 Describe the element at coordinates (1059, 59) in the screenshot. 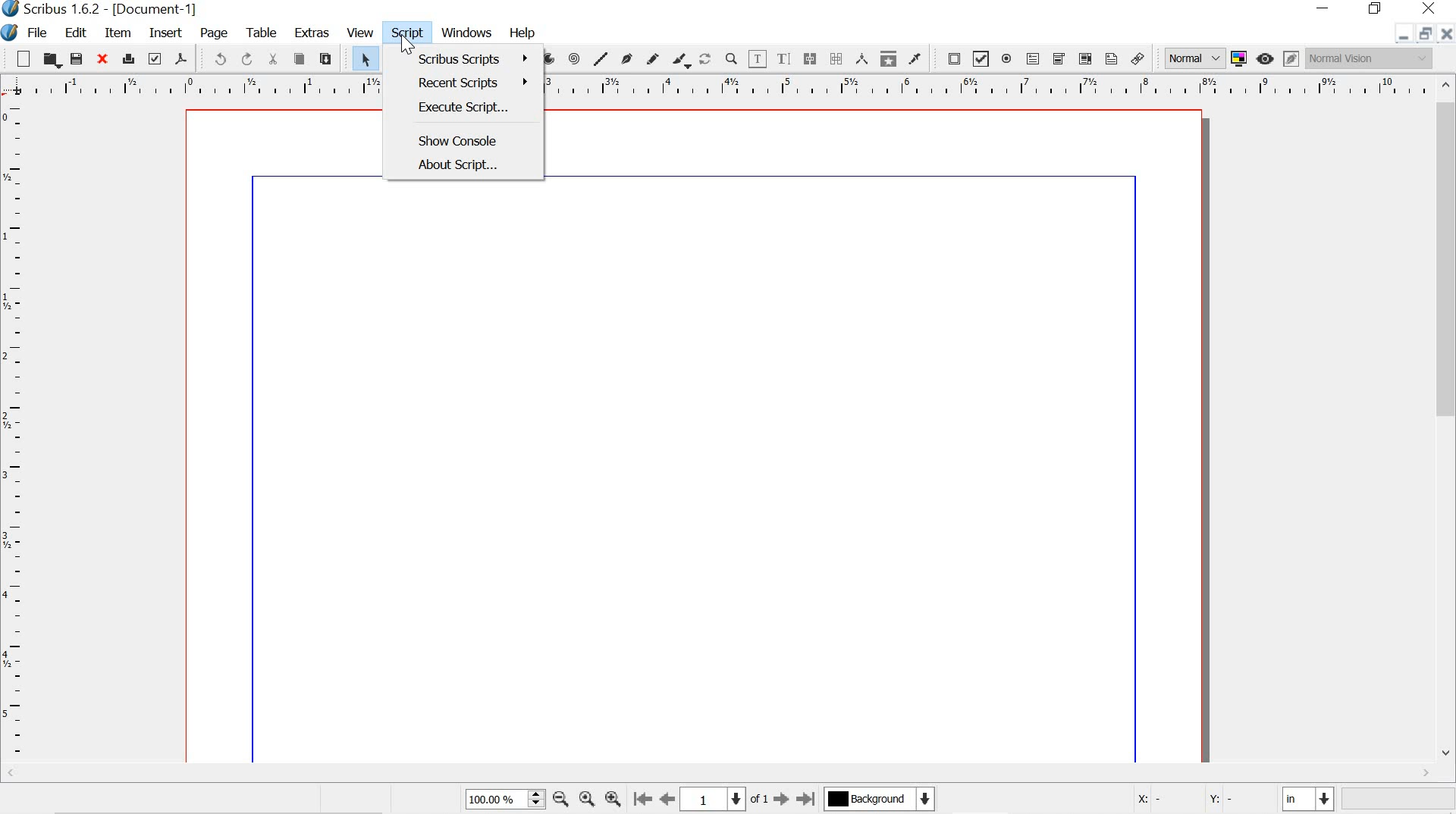

I see `pdf combo box` at that location.